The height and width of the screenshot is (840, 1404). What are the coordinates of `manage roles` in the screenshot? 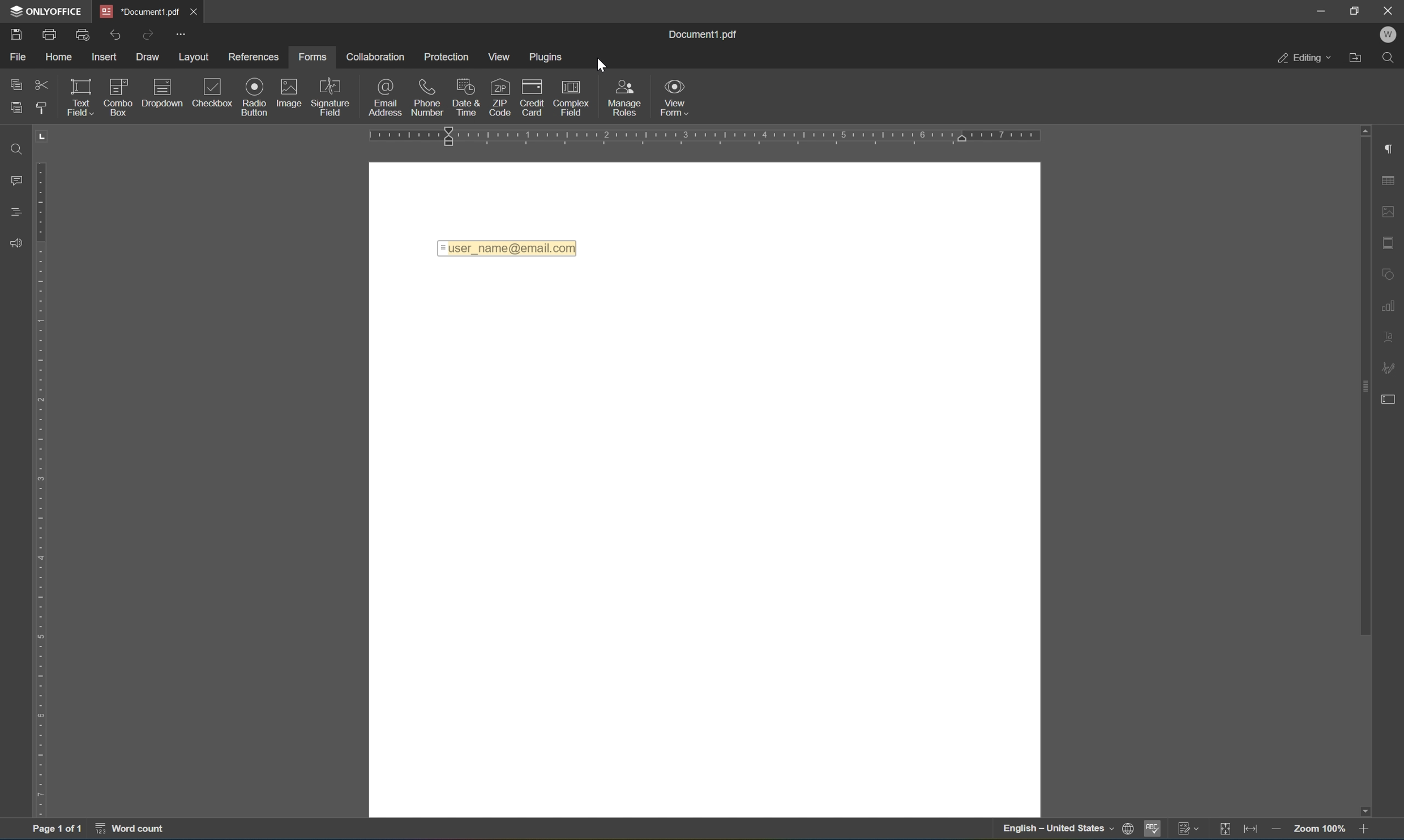 It's located at (625, 95).